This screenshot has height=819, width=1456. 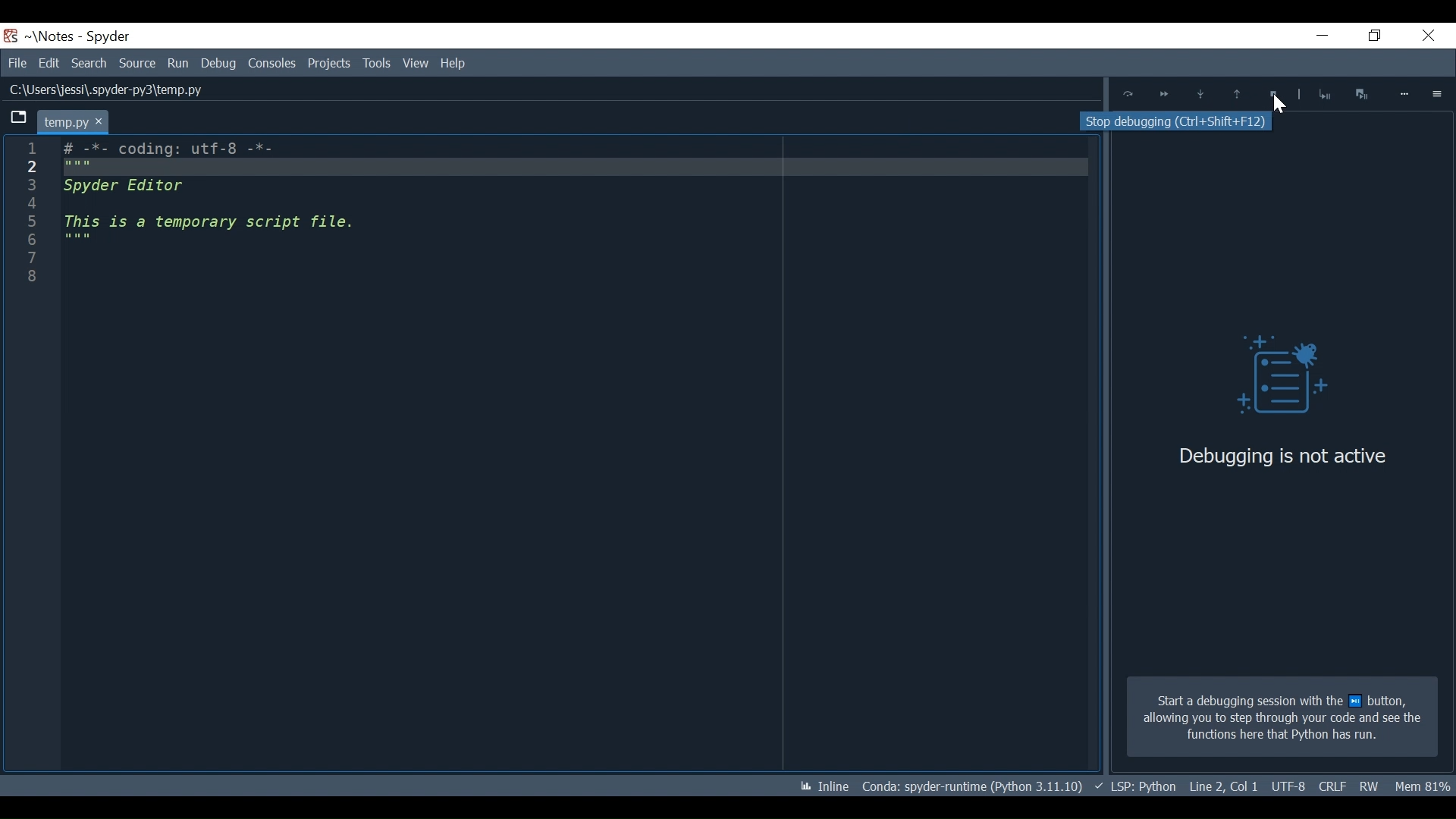 I want to click on File Permission, so click(x=1370, y=786).